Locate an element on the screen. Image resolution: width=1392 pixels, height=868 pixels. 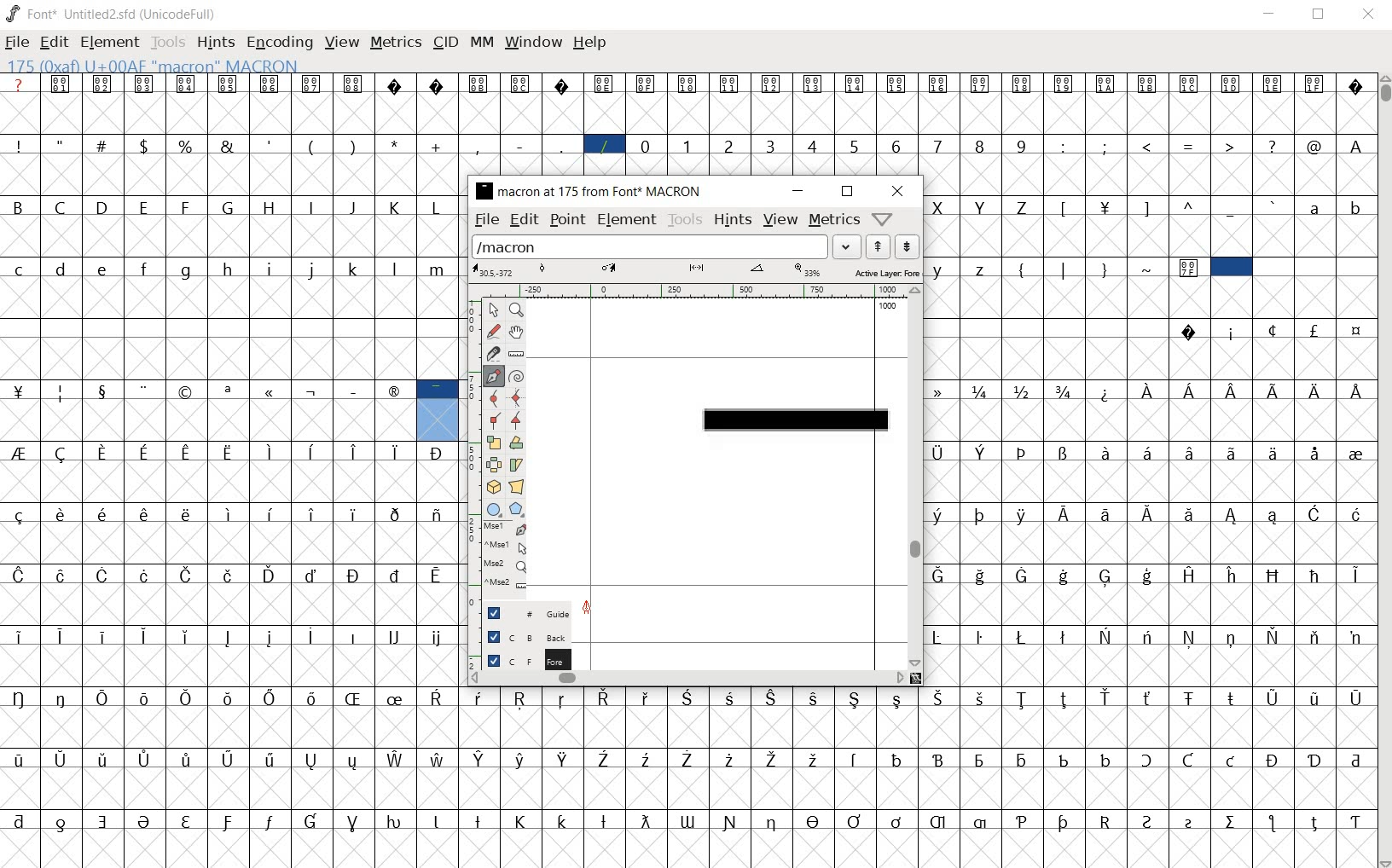
[ is located at coordinates (1064, 207).